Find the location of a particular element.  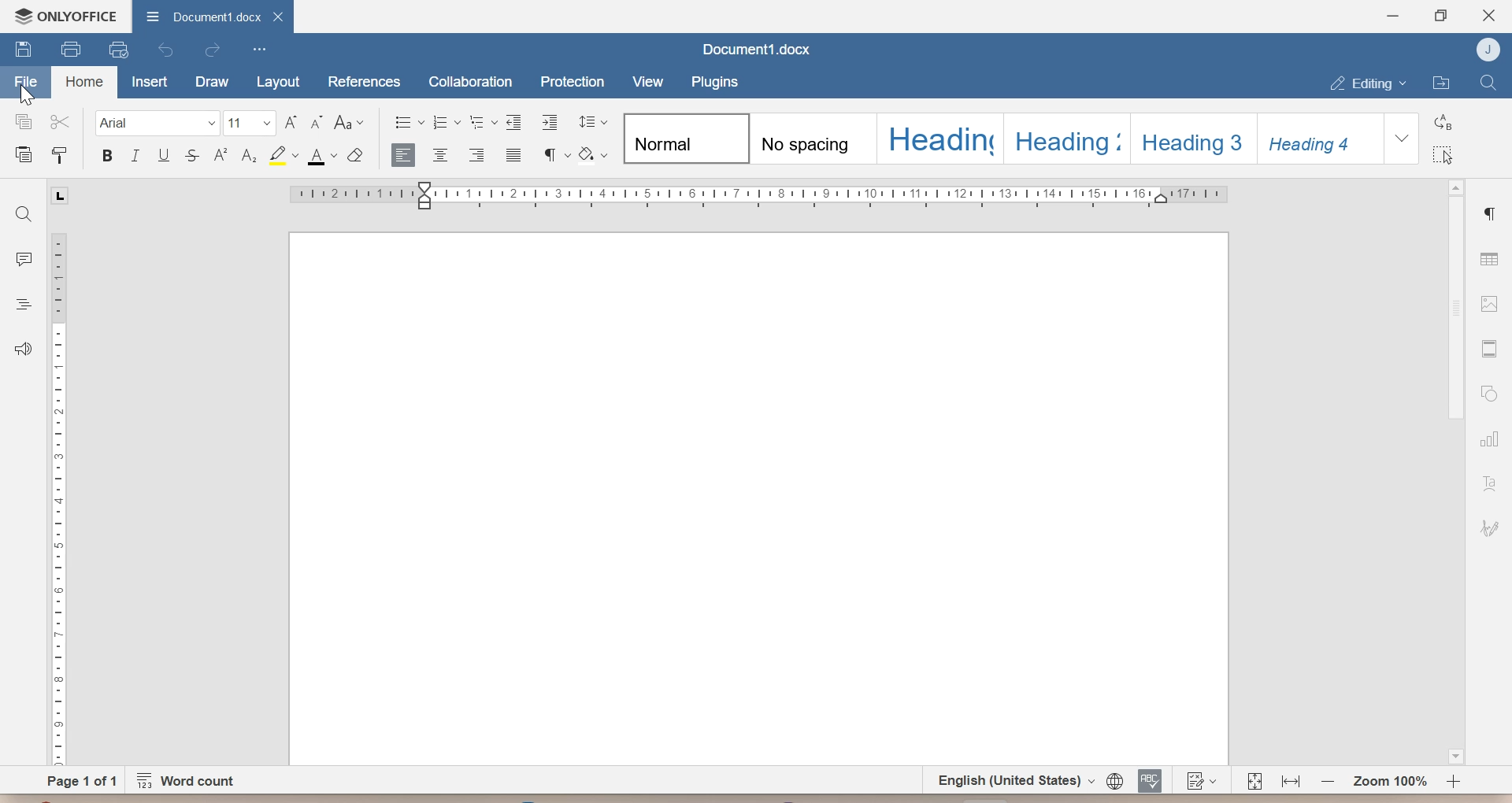

Plugins is located at coordinates (713, 81).